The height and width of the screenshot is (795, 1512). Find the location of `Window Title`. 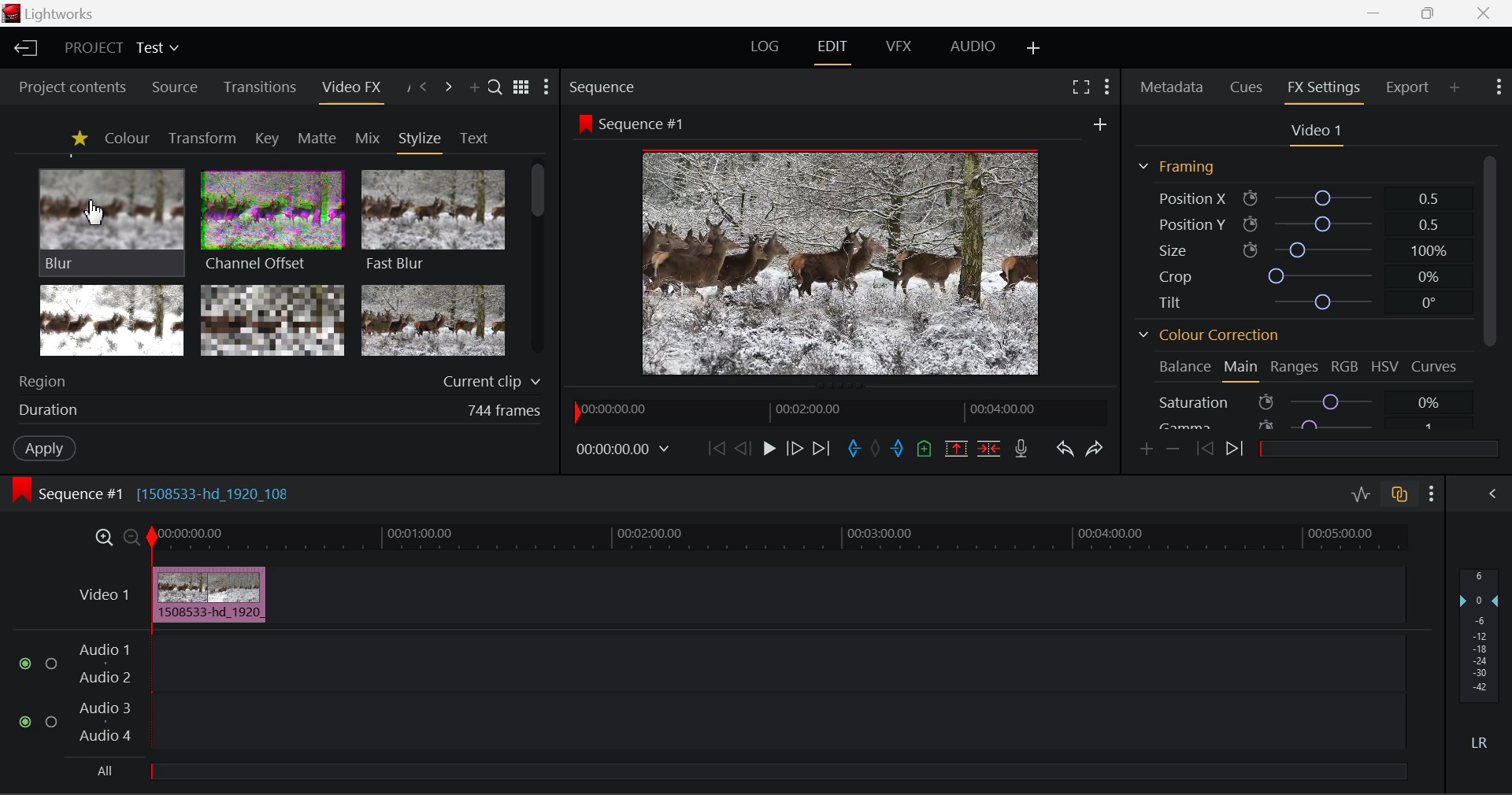

Window Title is located at coordinates (54, 14).